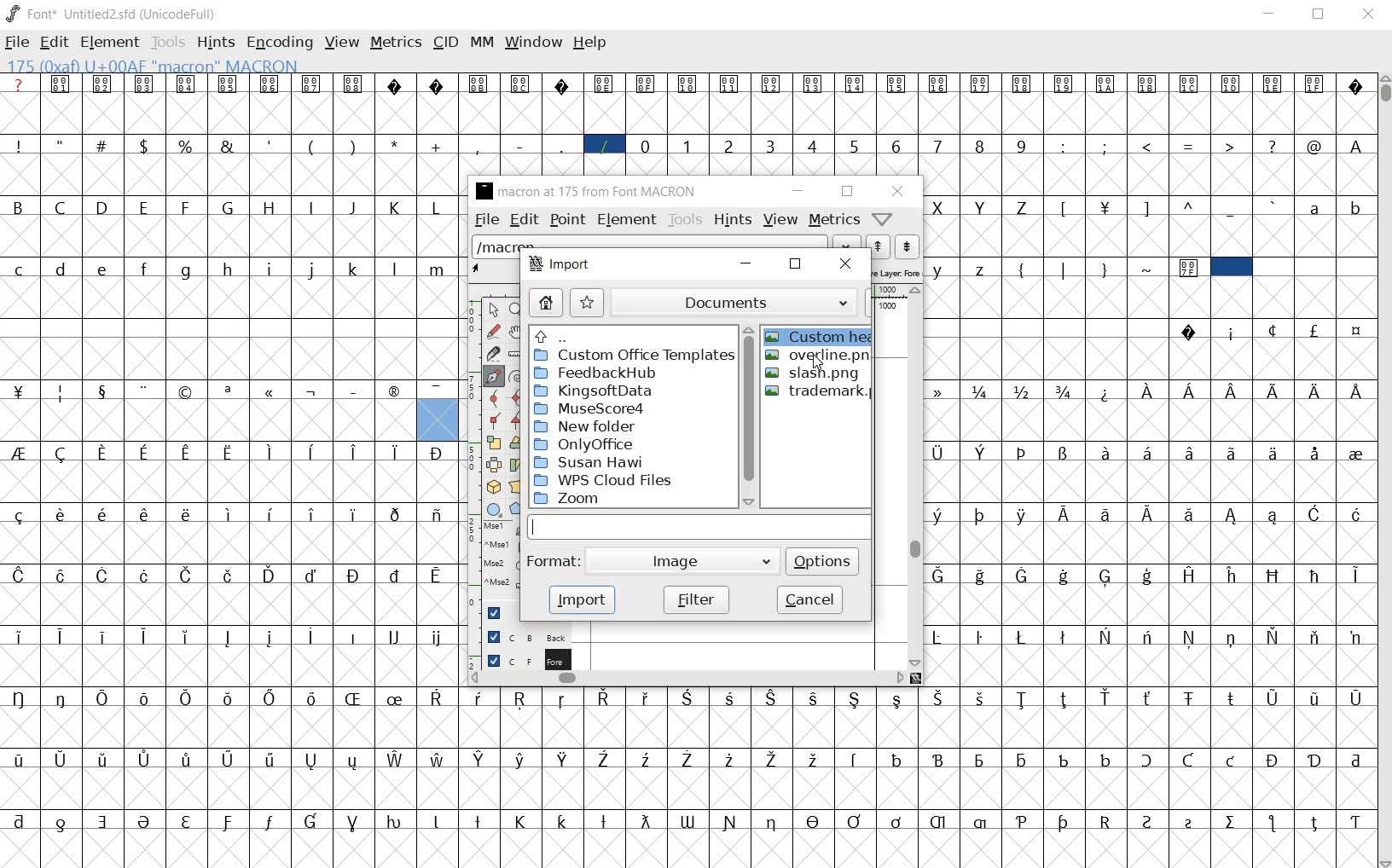 The image size is (1392, 868). Describe the element at coordinates (189, 575) in the screenshot. I see `Symbol` at that location.